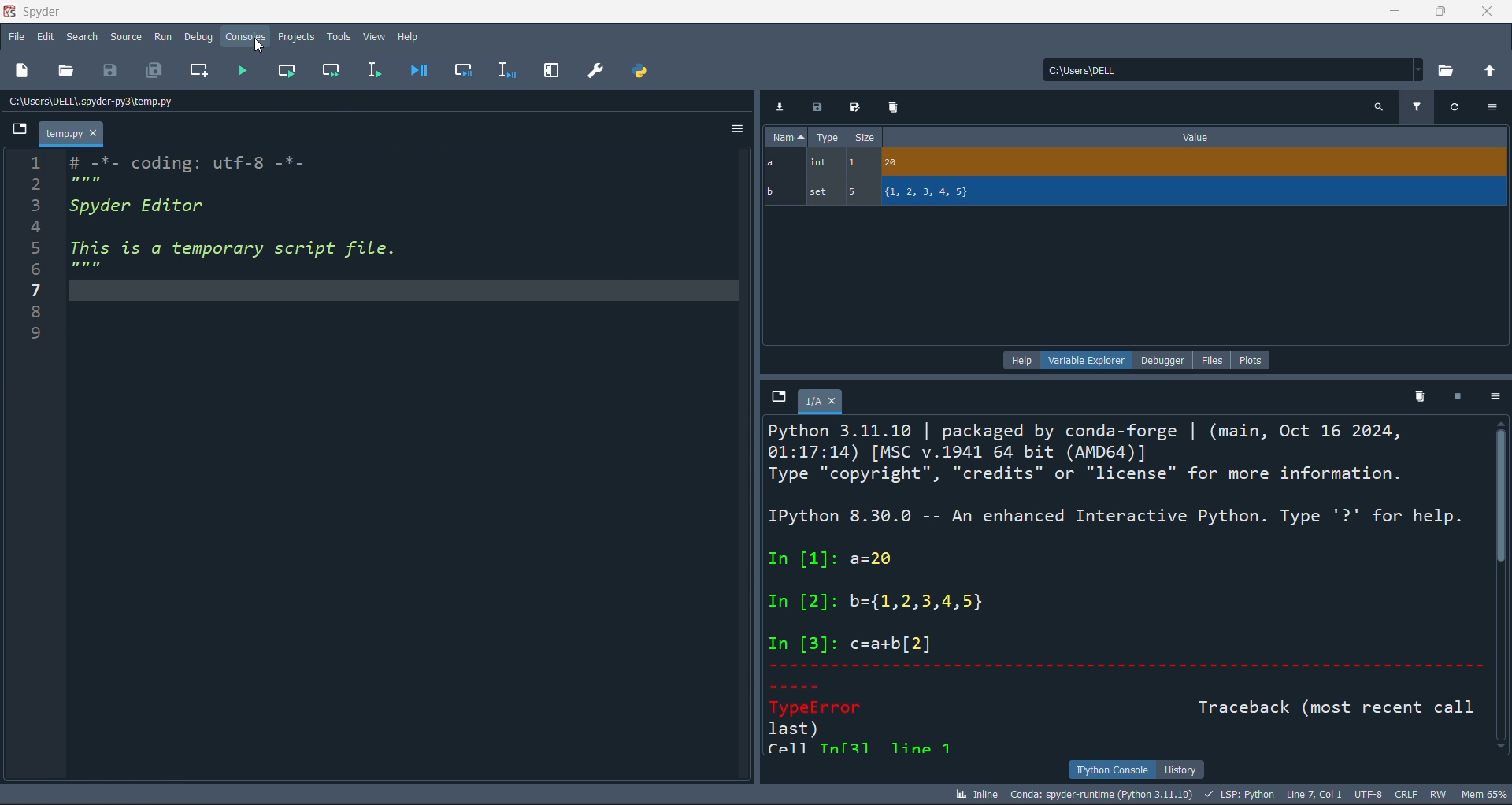  Describe the element at coordinates (1496, 398) in the screenshot. I see `more options` at that location.